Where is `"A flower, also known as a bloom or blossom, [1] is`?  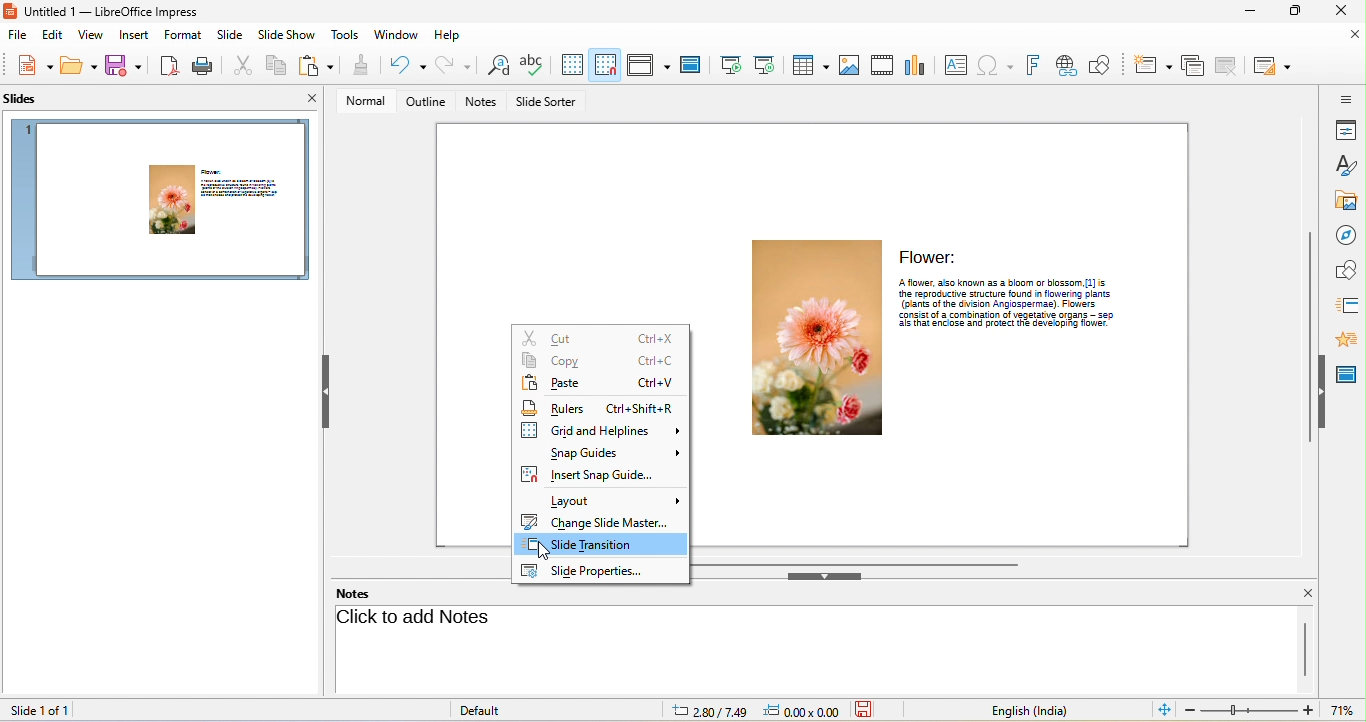
"A flower, also known as a bloom or blossom, [1] is is located at coordinates (1003, 282).